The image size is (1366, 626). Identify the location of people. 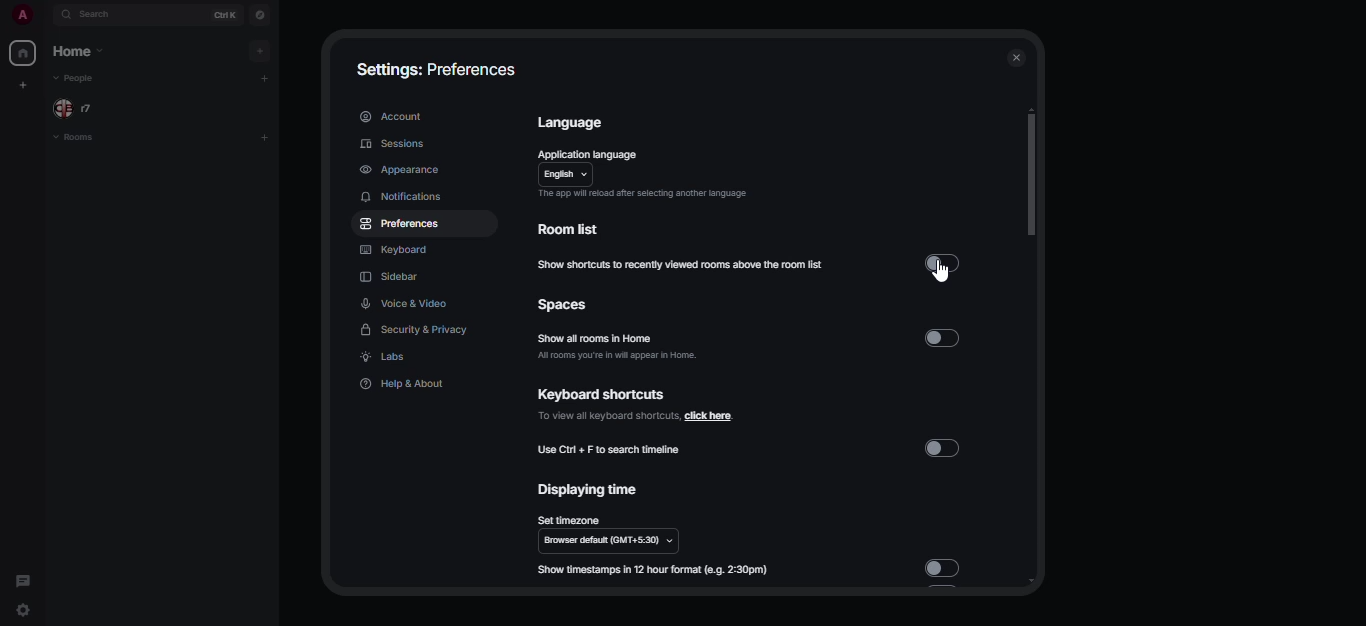
(76, 79).